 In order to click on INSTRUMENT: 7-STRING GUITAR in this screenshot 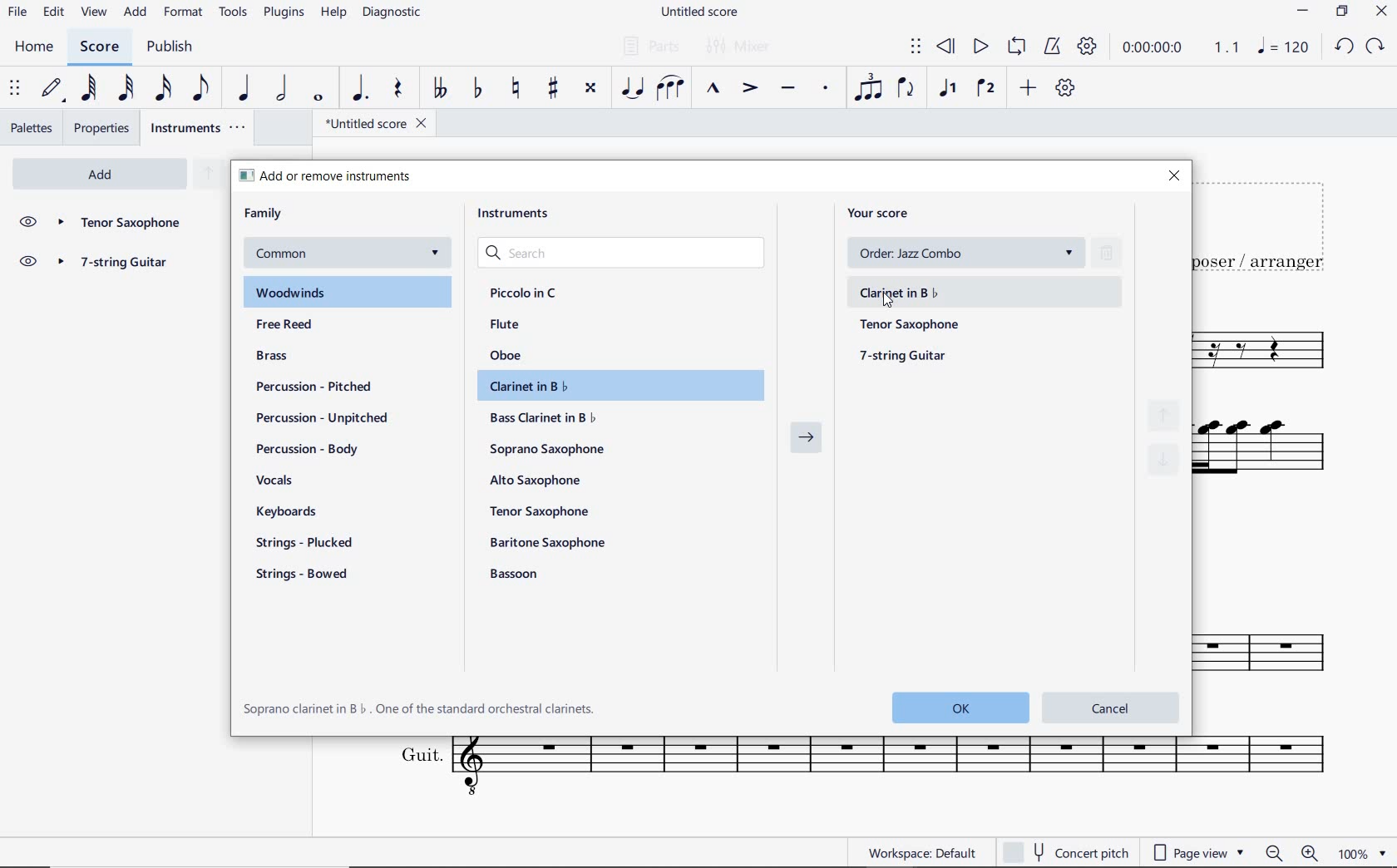, I will do `click(1275, 455)`.